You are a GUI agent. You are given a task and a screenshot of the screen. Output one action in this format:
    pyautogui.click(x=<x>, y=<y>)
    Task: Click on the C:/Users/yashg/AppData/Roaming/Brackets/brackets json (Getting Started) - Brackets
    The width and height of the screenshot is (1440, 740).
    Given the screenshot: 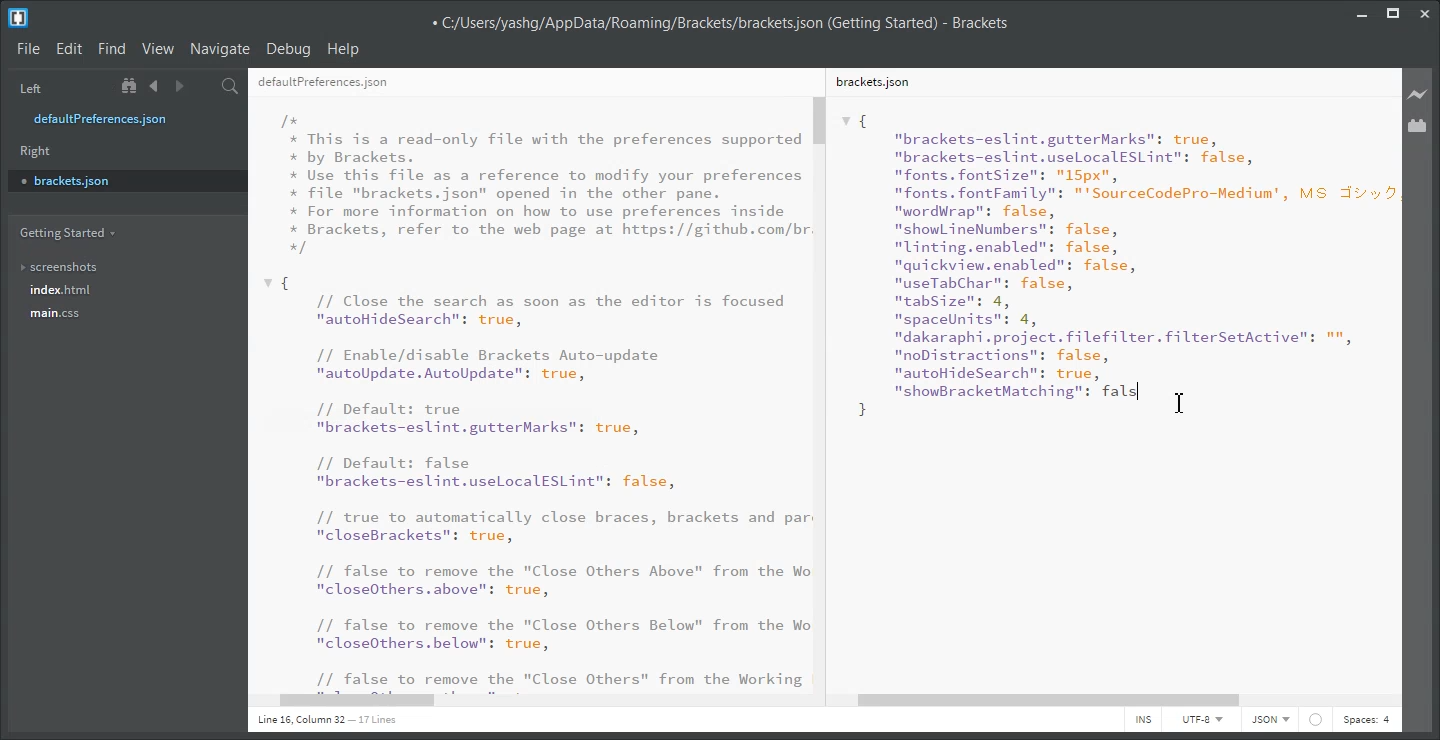 What is the action you would take?
    pyautogui.click(x=719, y=21)
    